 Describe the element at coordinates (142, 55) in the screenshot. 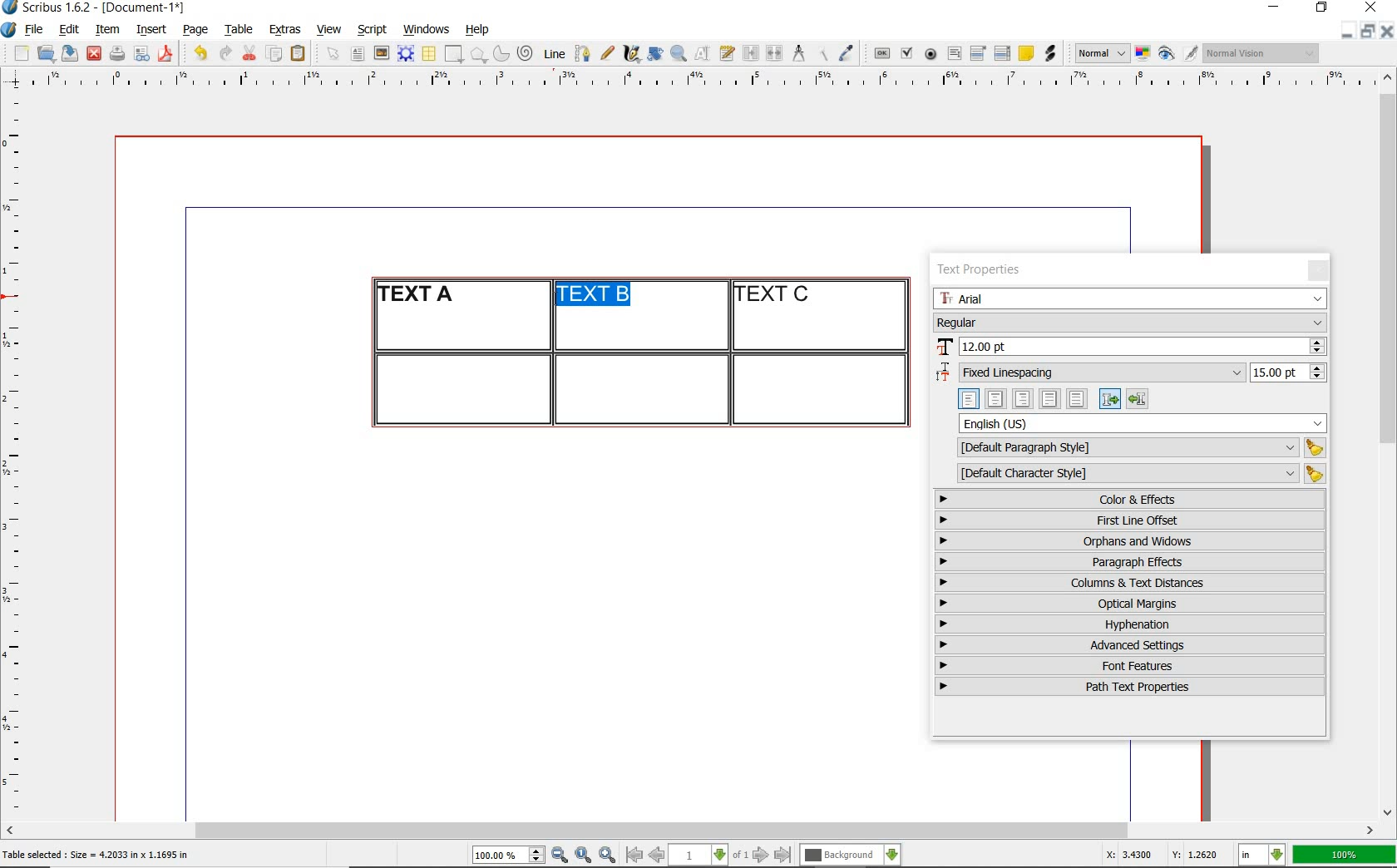

I see `preflight verifier` at that location.